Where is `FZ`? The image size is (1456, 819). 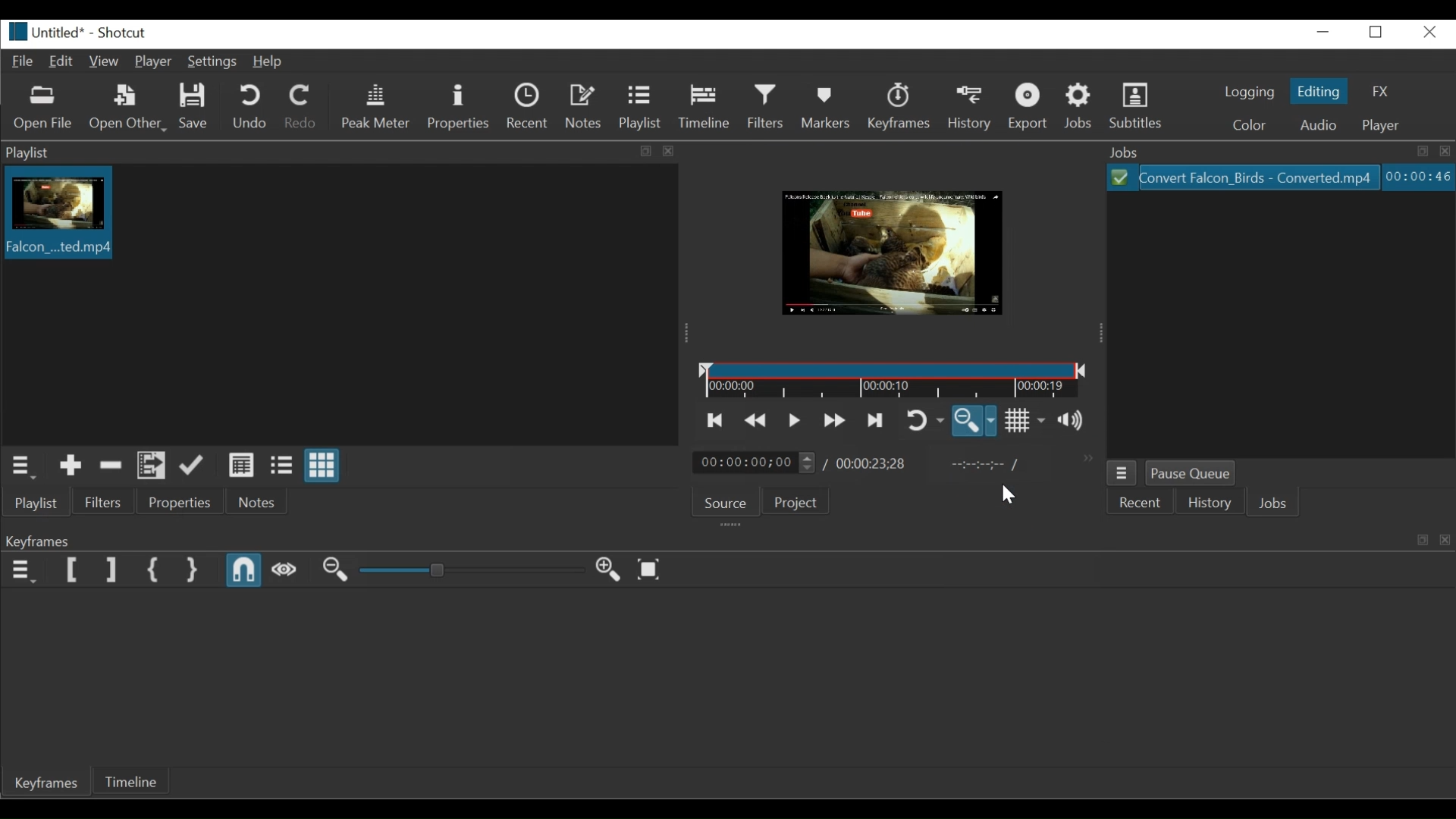
FZ is located at coordinates (1381, 90).